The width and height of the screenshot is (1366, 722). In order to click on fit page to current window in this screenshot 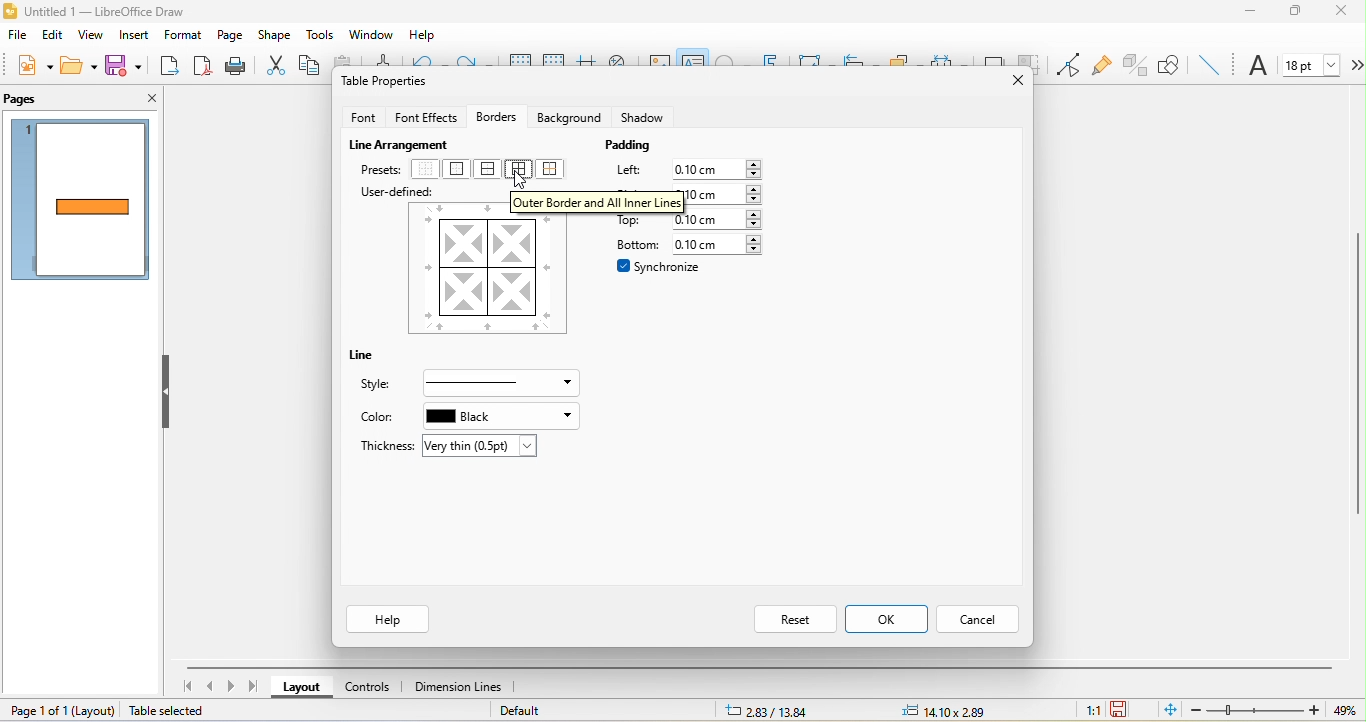, I will do `click(1168, 710)`.